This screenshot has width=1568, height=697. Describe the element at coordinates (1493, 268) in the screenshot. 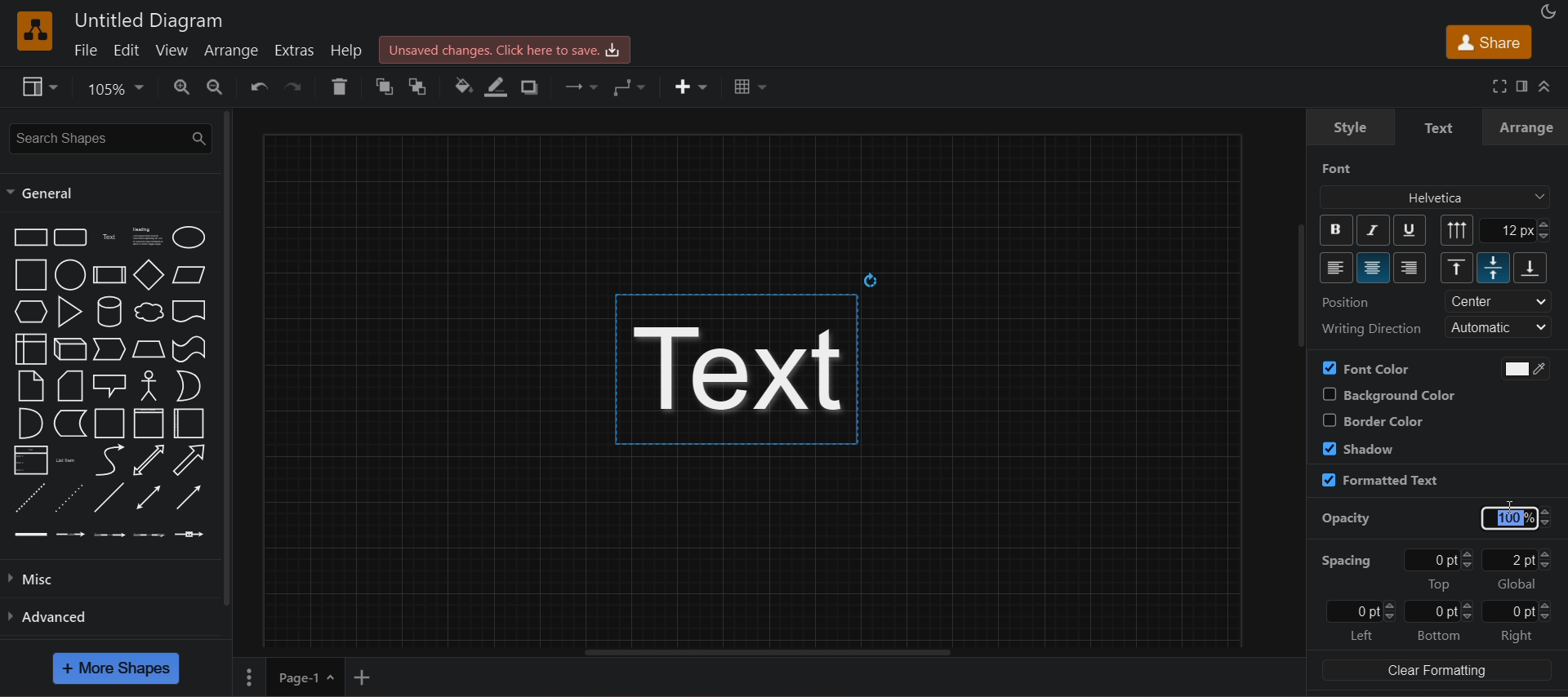

I see `middle` at that location.